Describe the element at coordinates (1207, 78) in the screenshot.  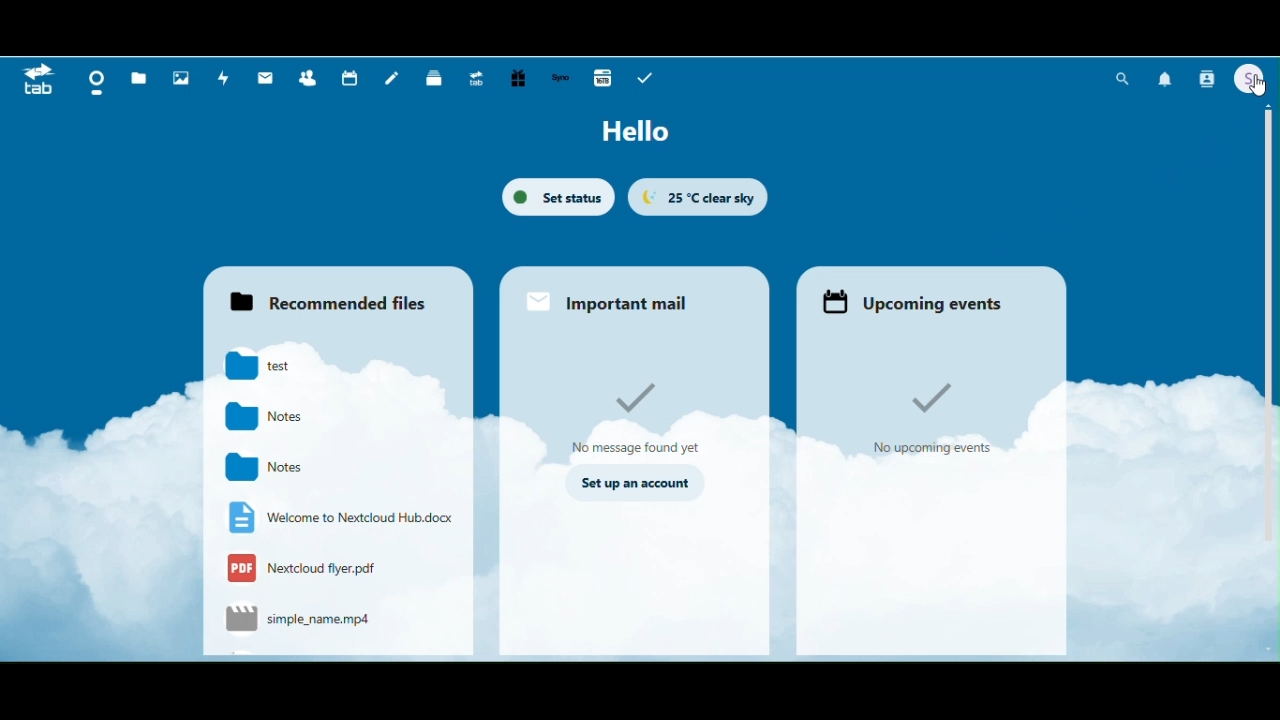
I see `Contacts` at that location.